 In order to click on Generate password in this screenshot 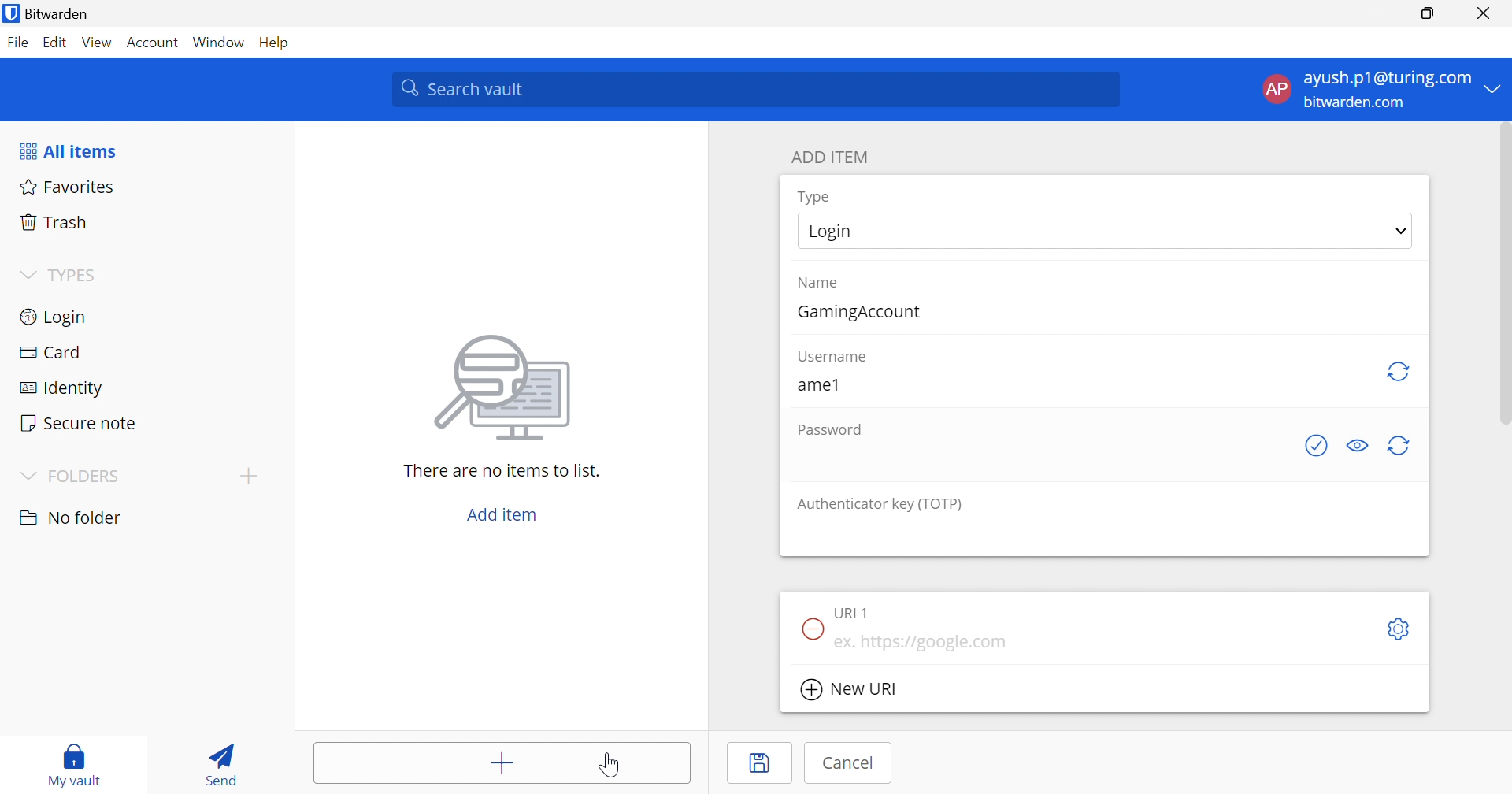, I will do `click(1319, 447)`.